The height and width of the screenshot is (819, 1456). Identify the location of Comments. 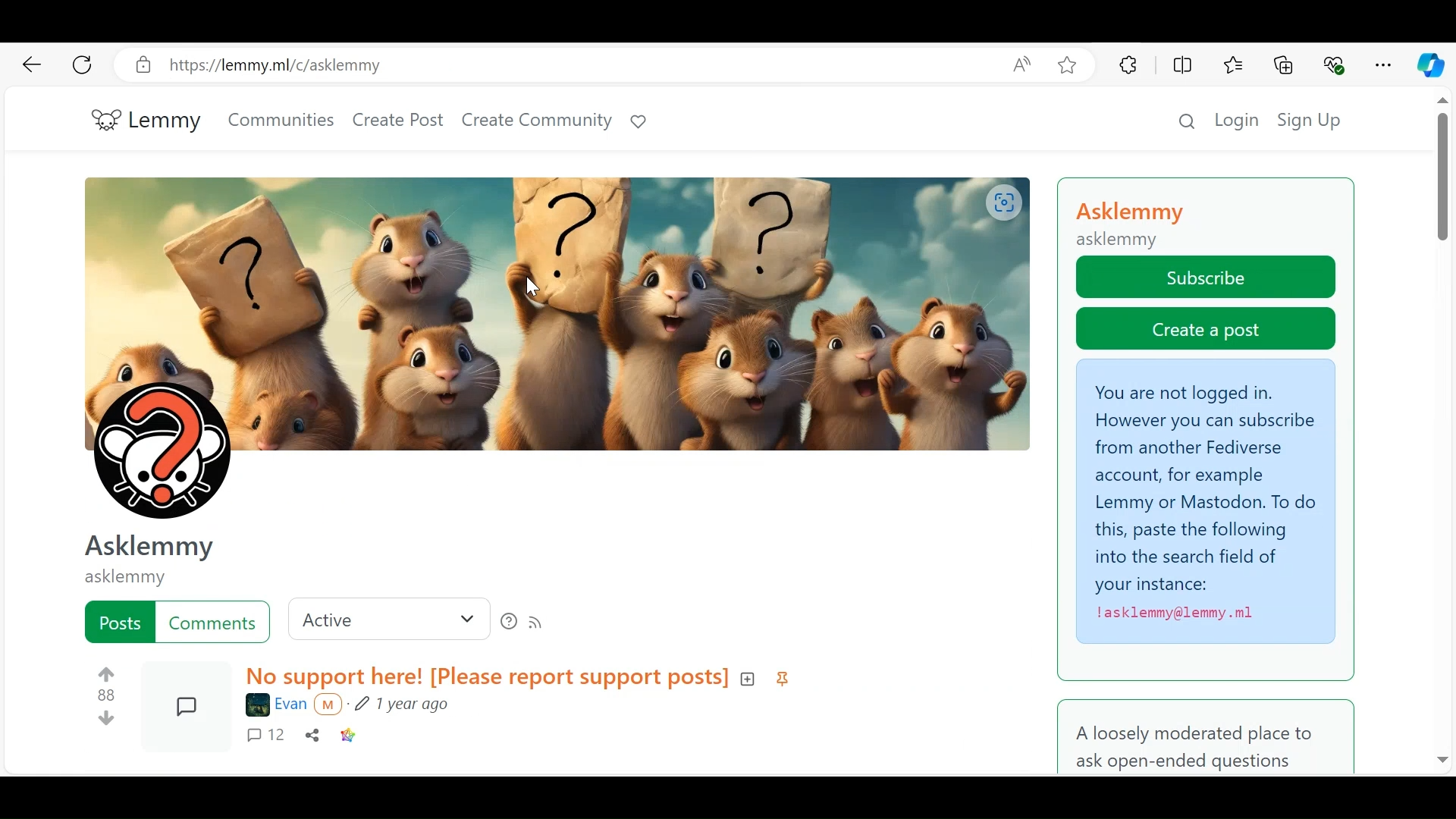
(269, 737).